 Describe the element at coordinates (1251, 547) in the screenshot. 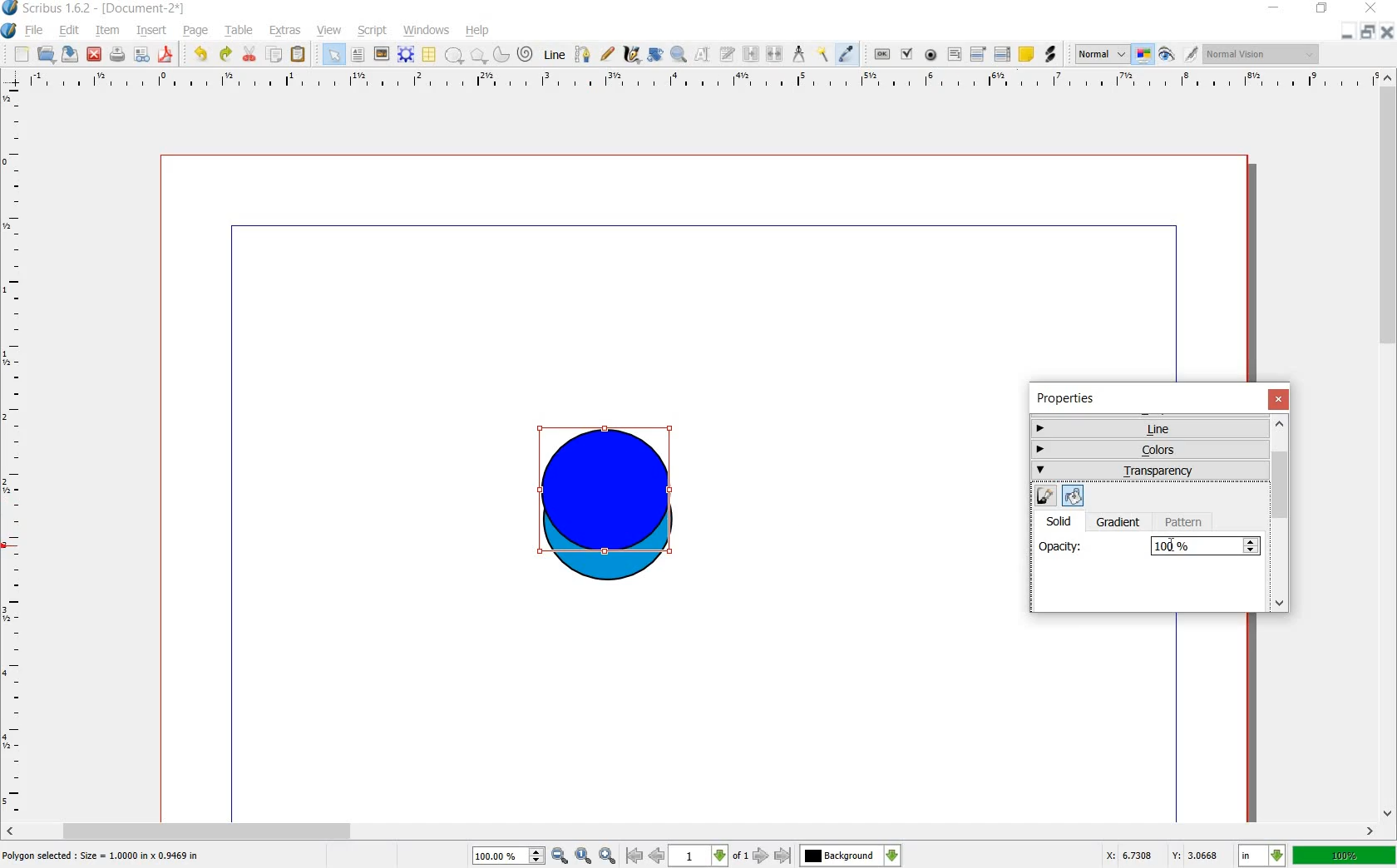

I see `Increase or decrease opacity` at that location.